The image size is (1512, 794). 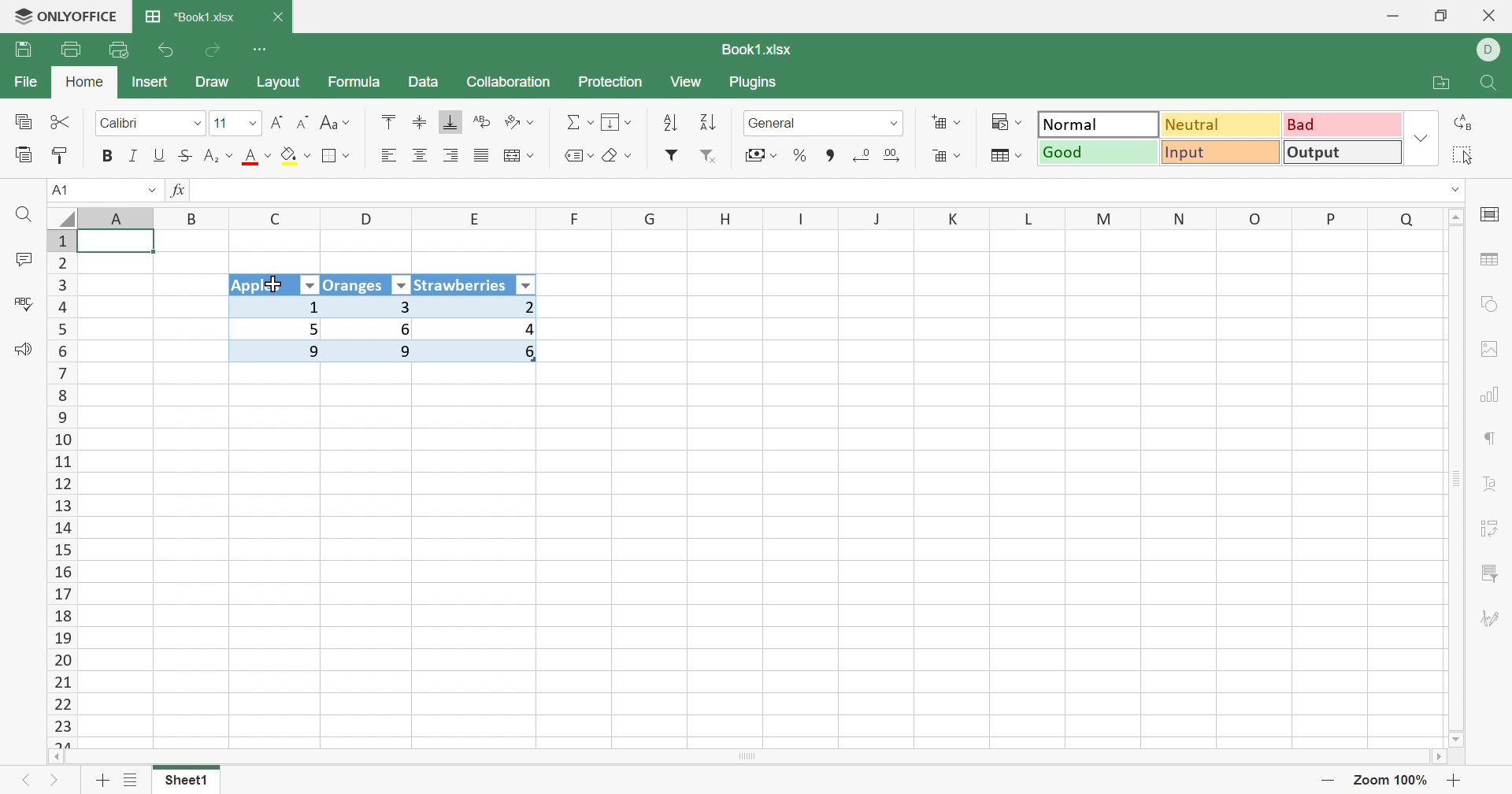 What do you see at coordinates (954, 220) in the screenshot?
I see `K` at bounding box center [954, 220].